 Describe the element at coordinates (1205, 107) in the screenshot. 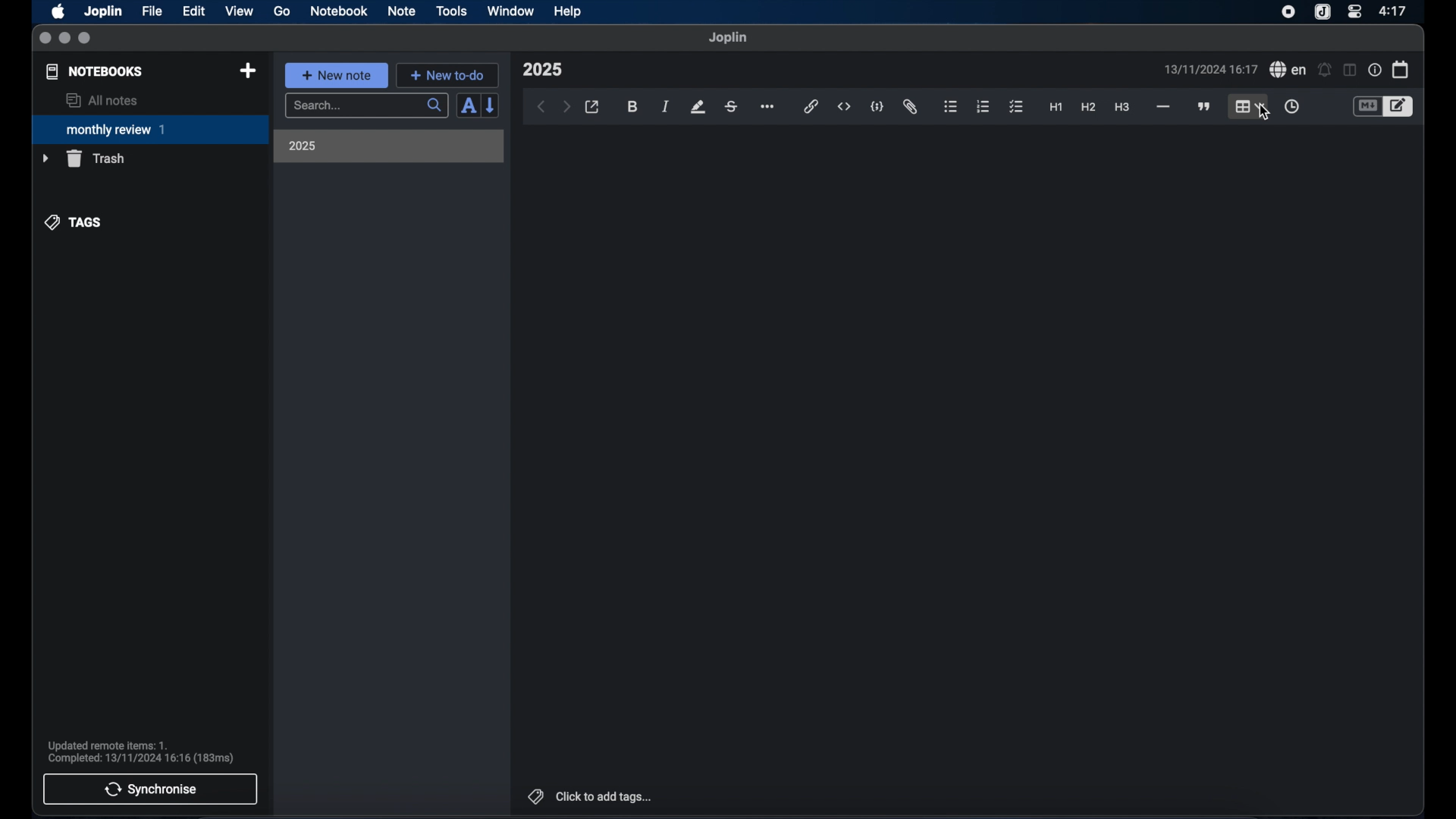

I see `block quotes` at that location.